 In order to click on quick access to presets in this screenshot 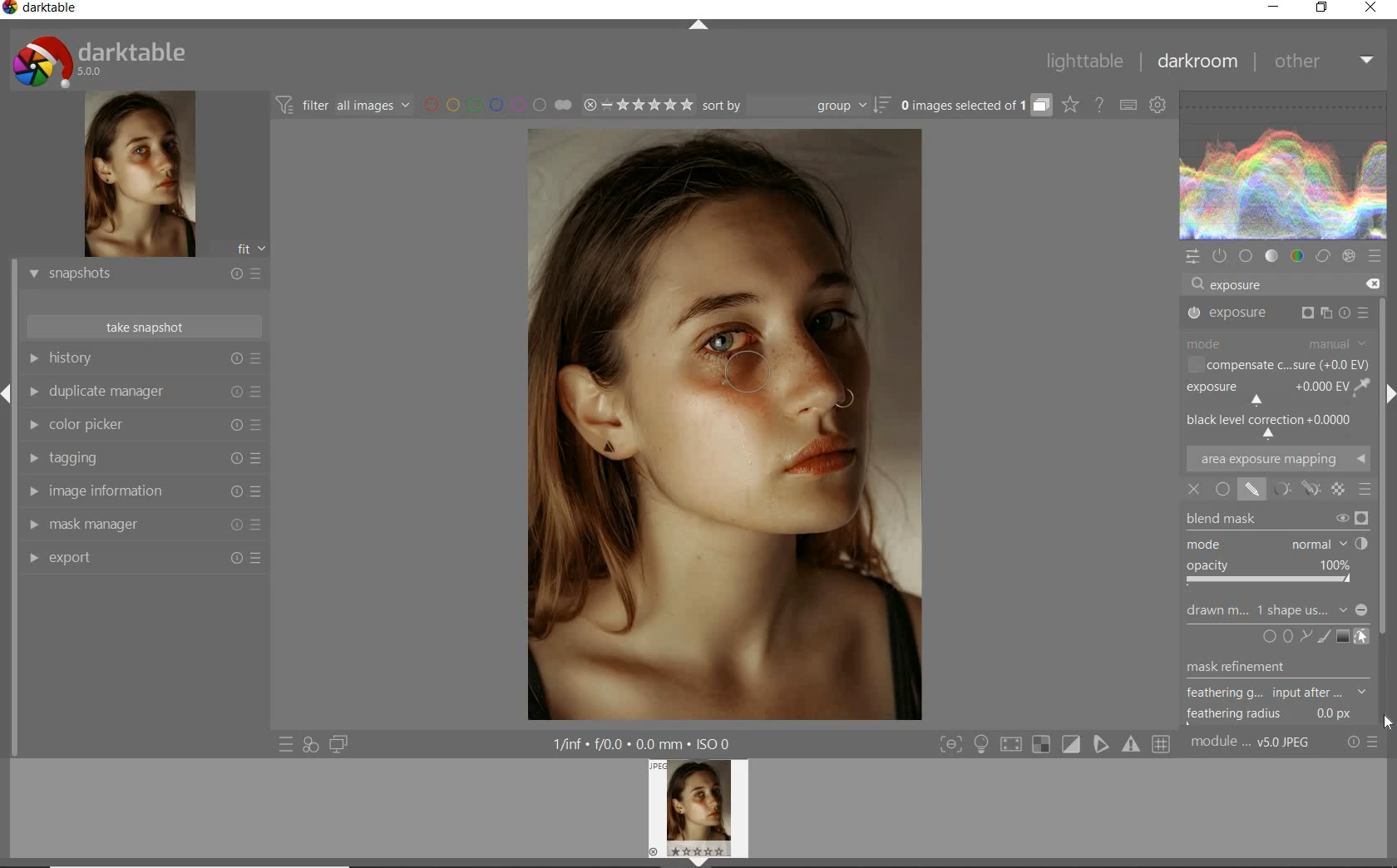, I will do `click(287, 744)`.